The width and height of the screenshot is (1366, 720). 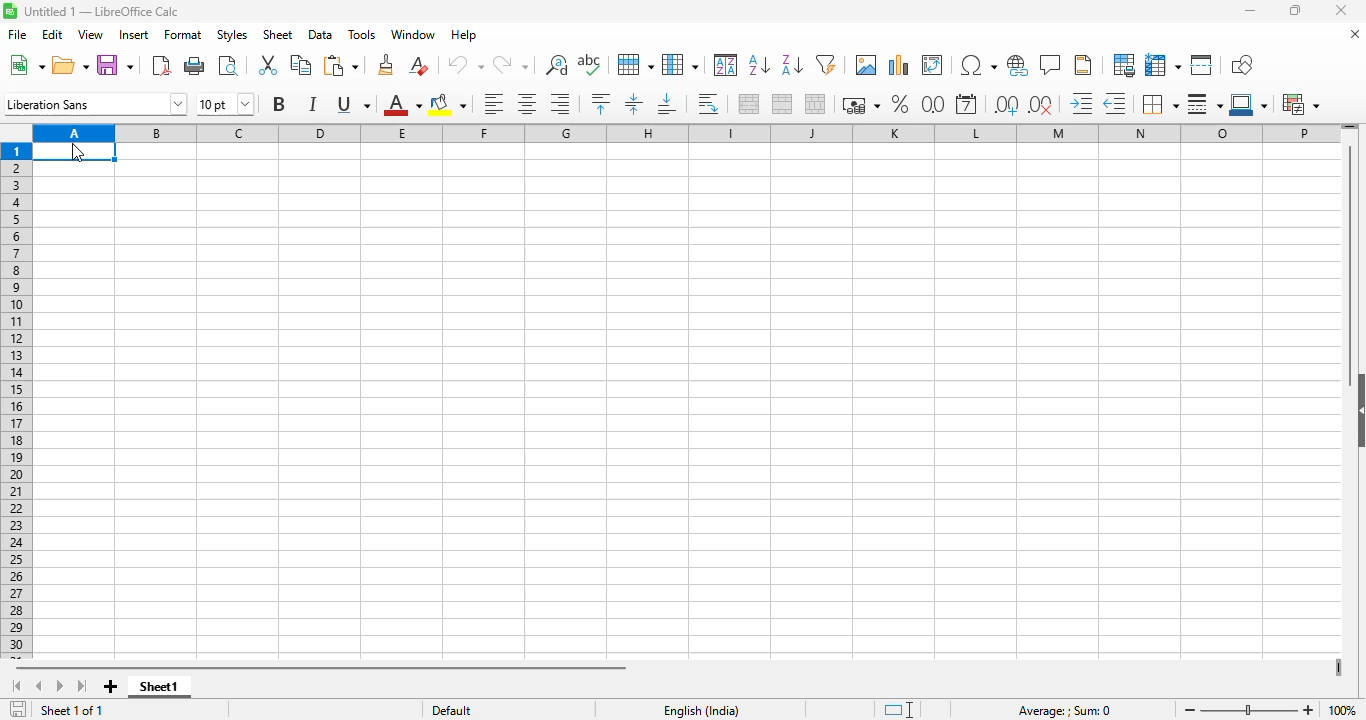 I want to click on click to save the document, so click(x=18, y=710).